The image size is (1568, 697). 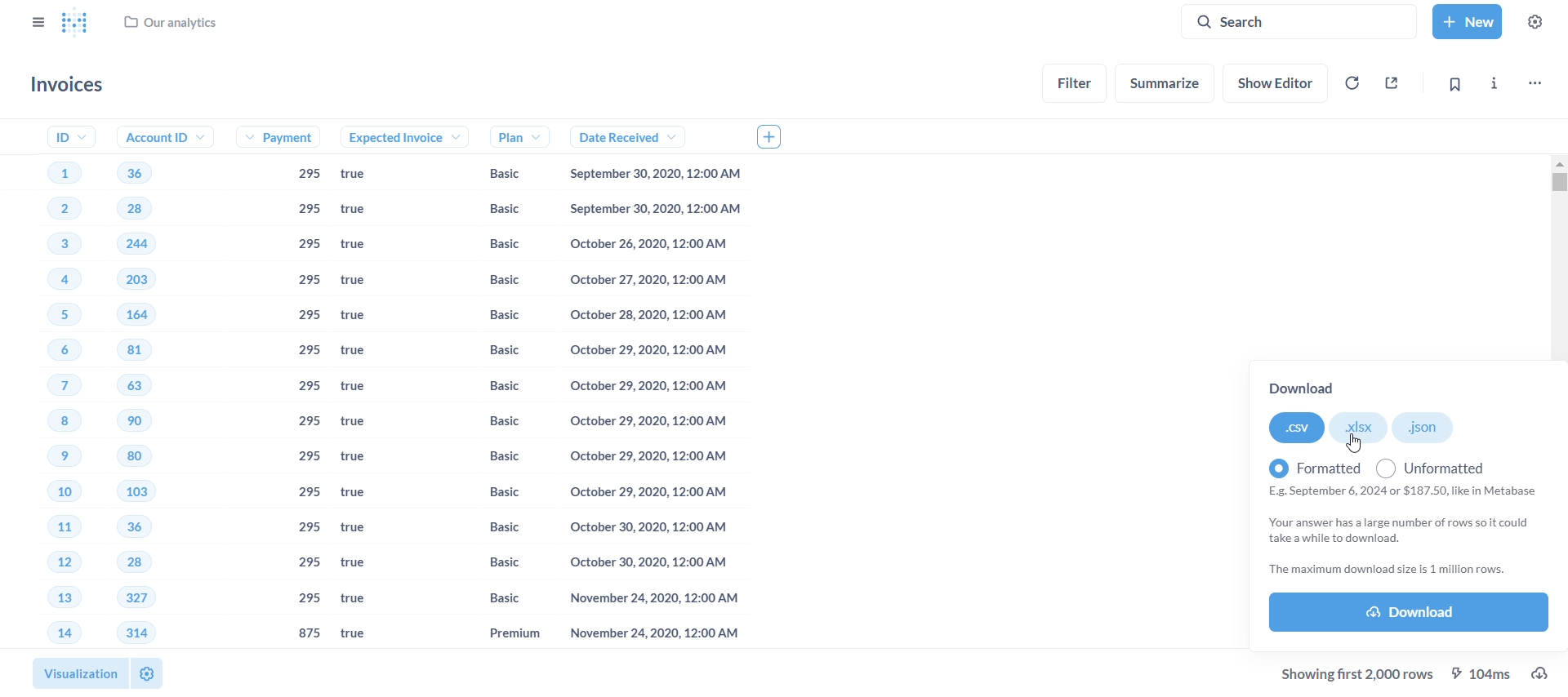 What do you see at coordinates (140, 350) in the screenshot?
I see `81` at bounding box center [140, 350].